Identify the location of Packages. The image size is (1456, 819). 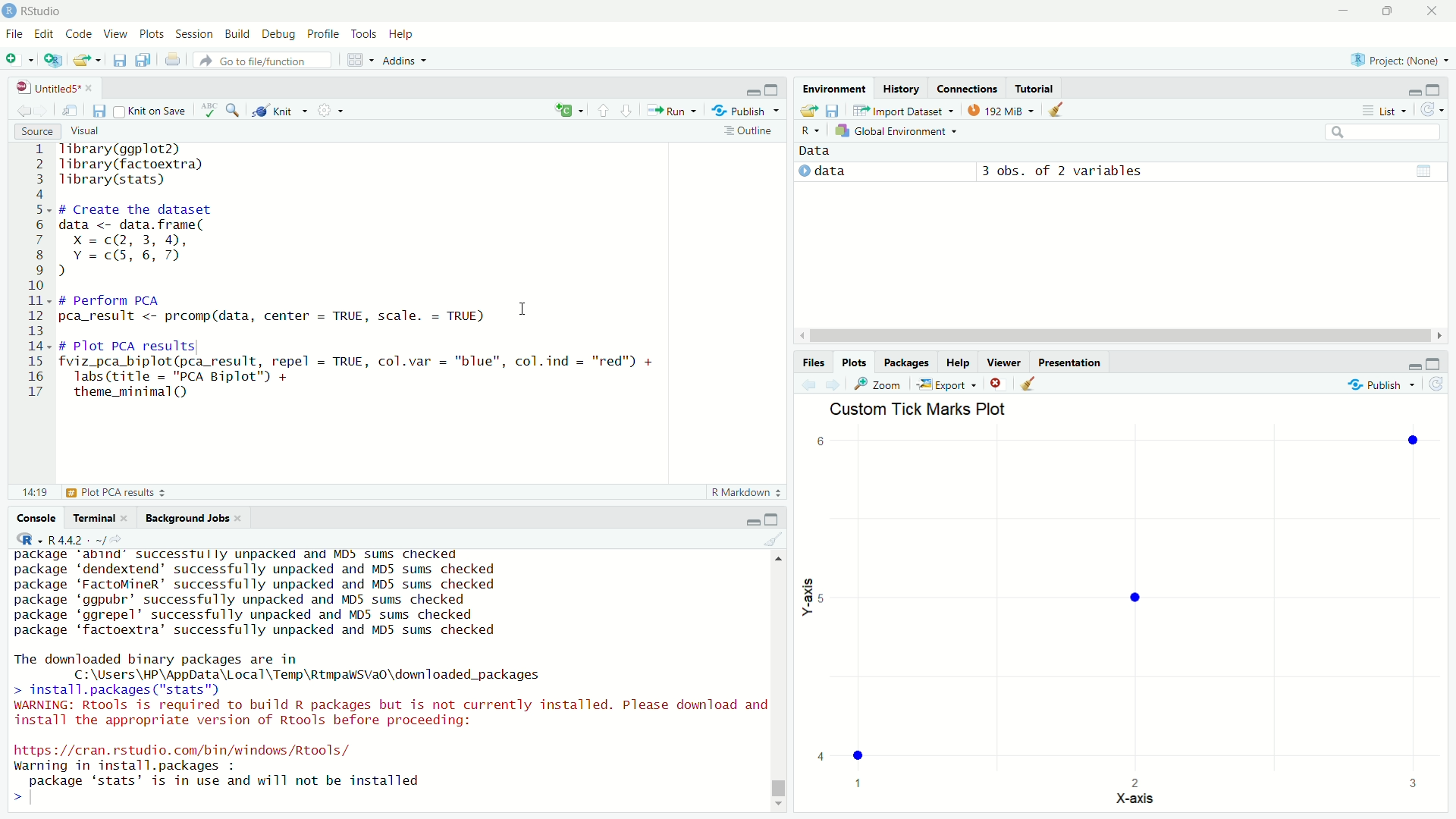
(908, 362).